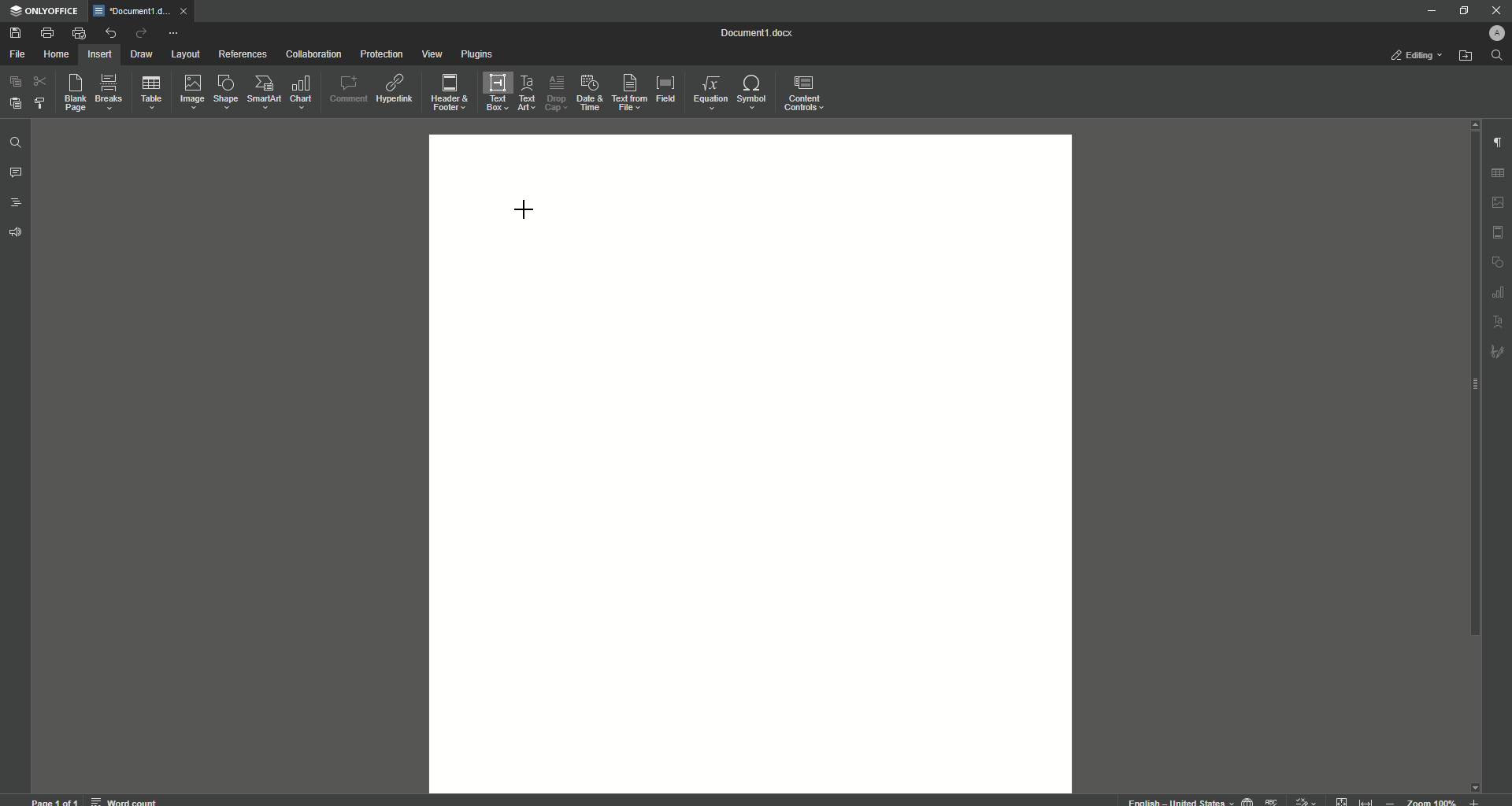 This screenshot has height=806, width=1512. I want to click on Close, so click(1495, 10).